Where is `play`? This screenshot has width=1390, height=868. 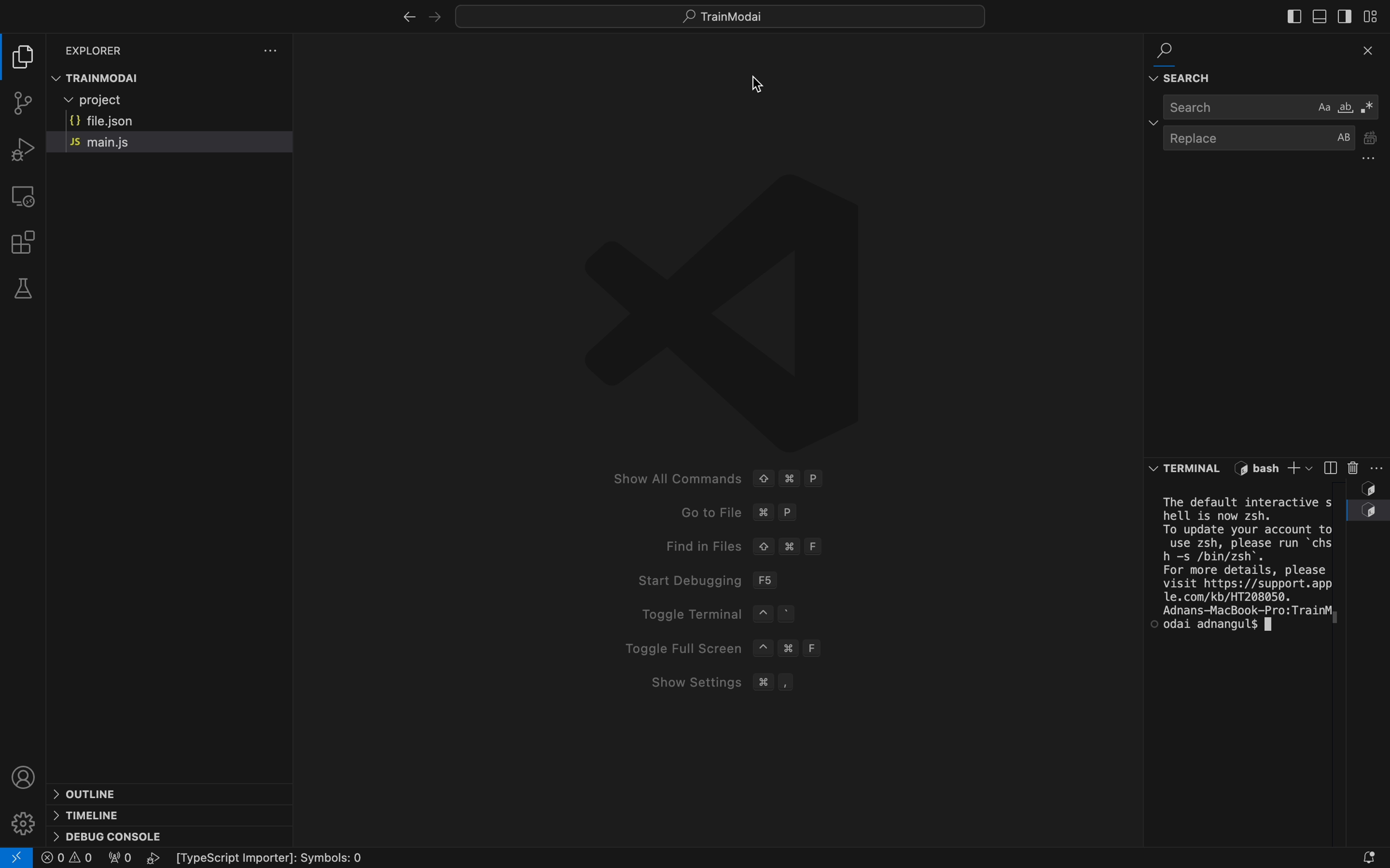
play is located at coordinates (156, 858).